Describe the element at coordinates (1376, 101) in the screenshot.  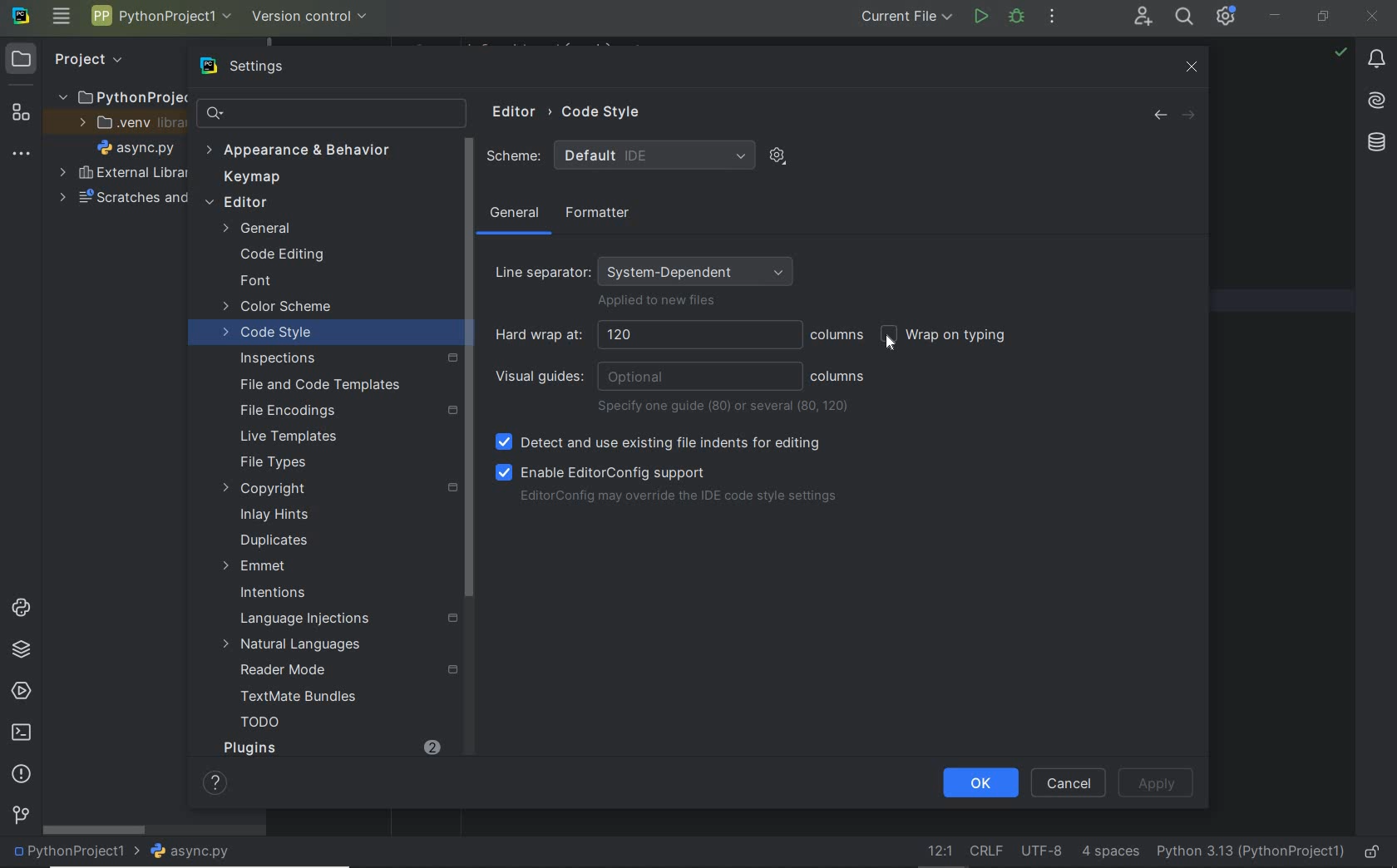
I see `AI Assistant` at that location.